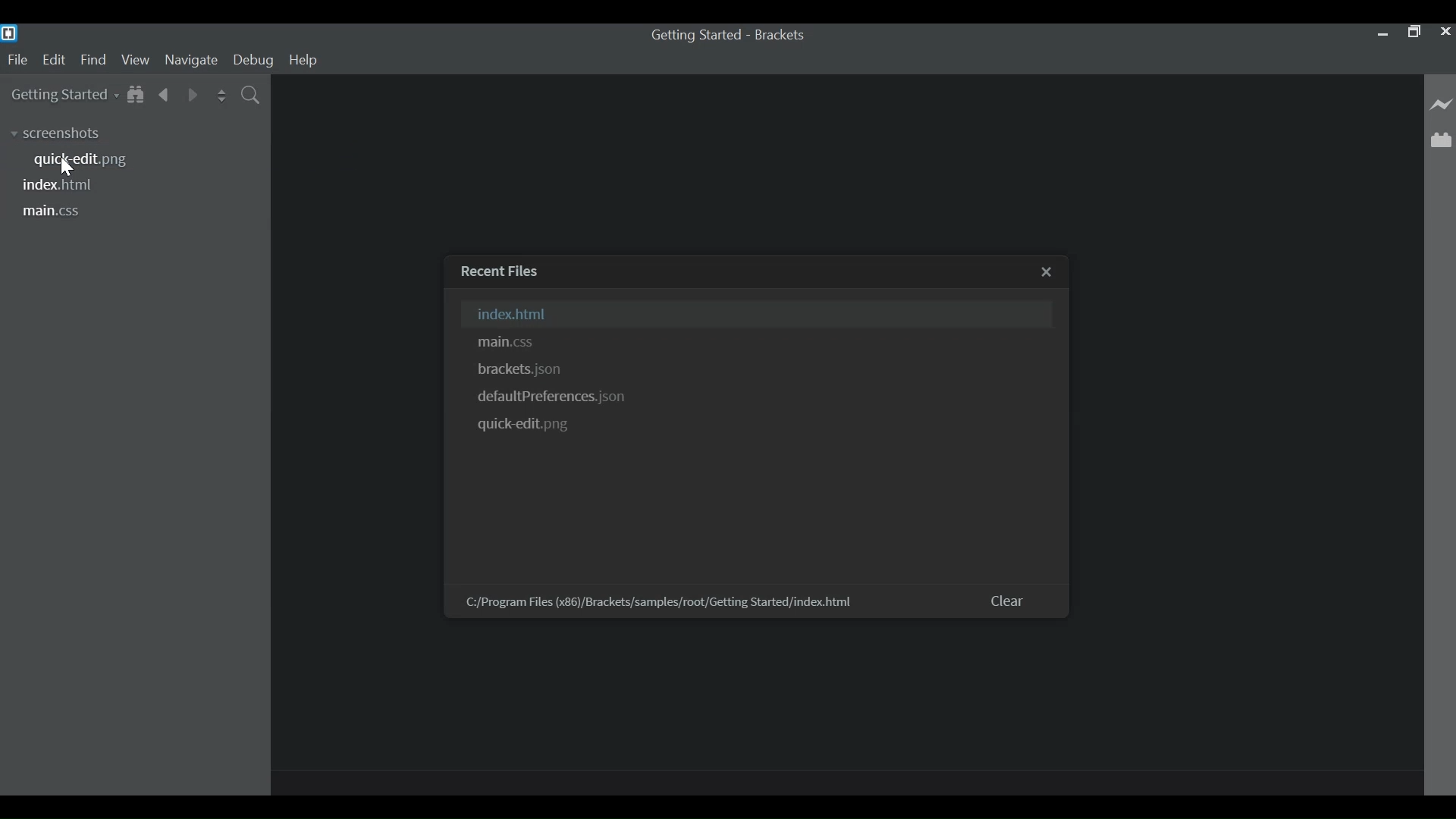 The width and height of the screenshot is (1456, 819). Describe the element at coordinates (94, 60) in the screenshot. I see `find` at that location.